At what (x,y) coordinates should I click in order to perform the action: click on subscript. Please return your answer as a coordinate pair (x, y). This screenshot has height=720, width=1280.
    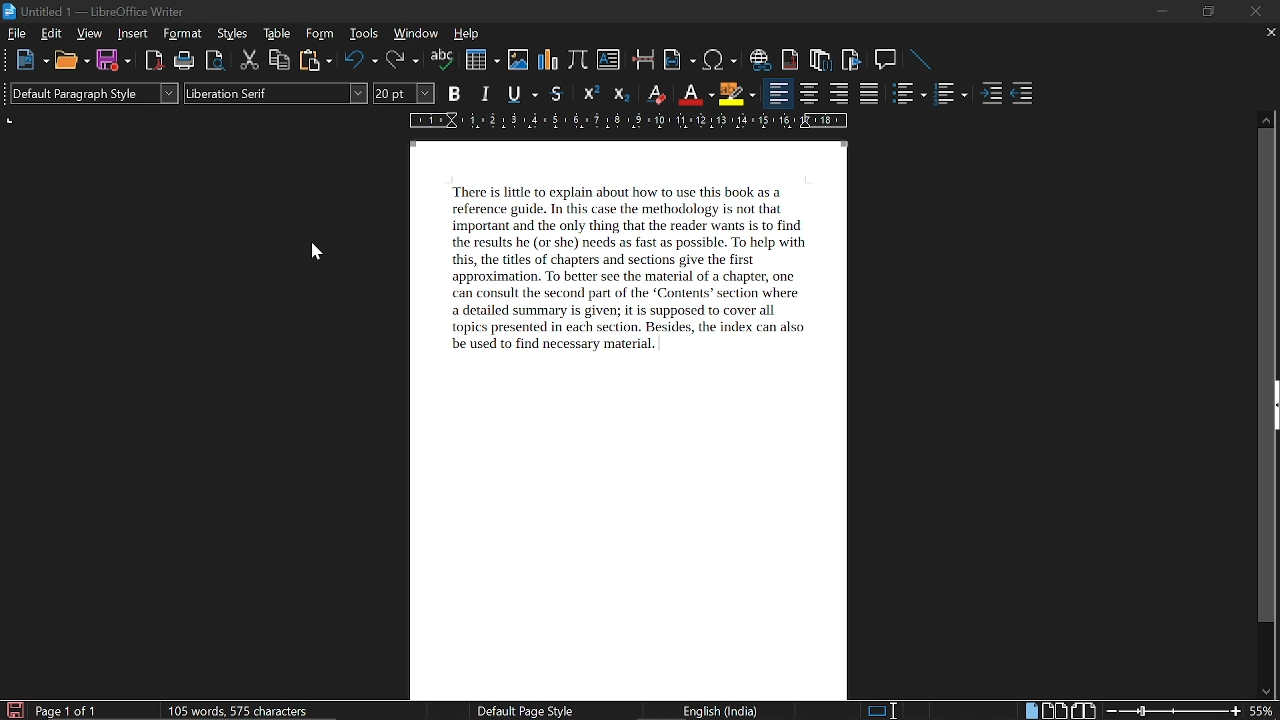
    Looking at the image, I should click on (620, 93).